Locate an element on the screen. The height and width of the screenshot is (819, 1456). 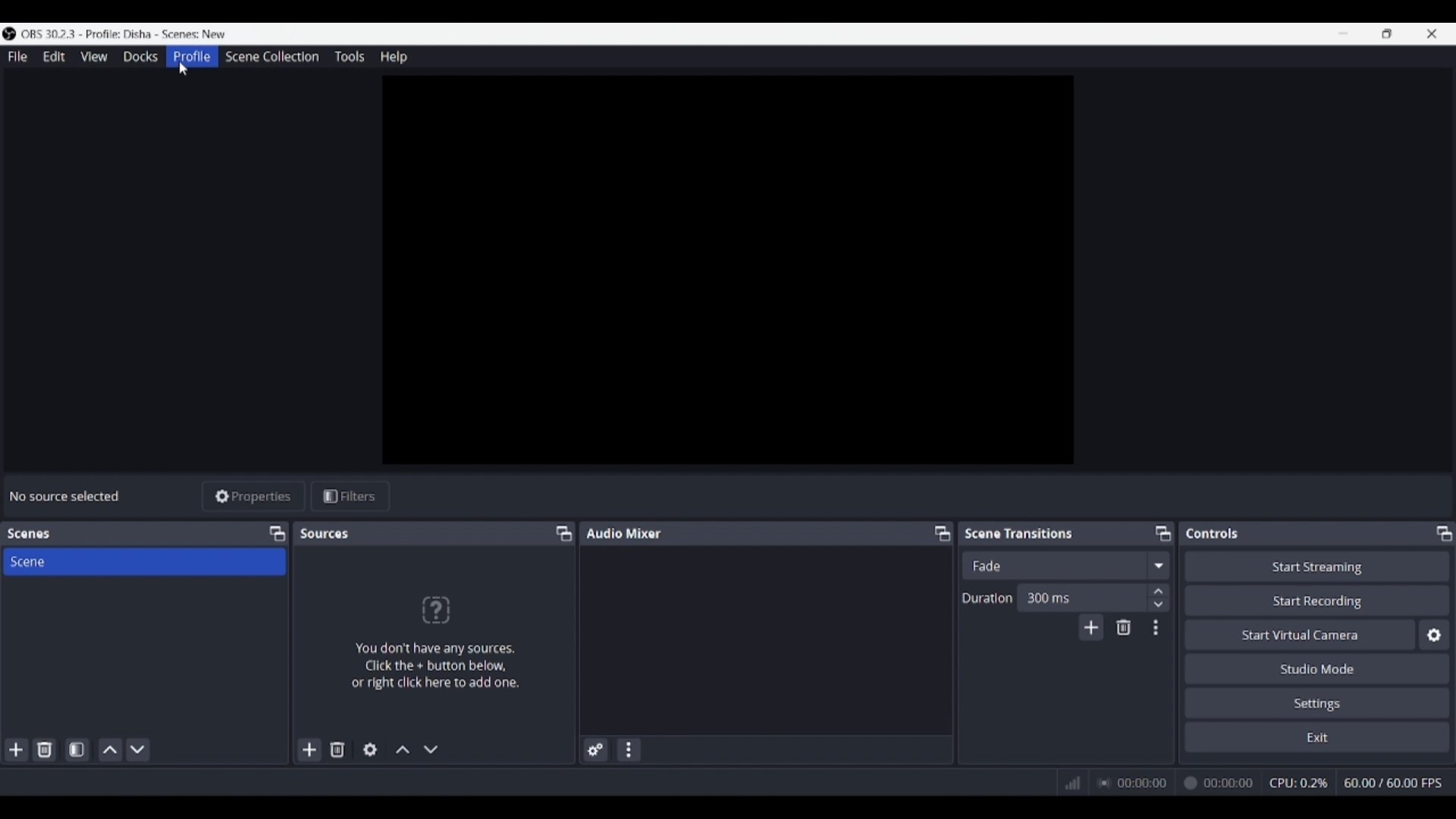
Network is located at coordinates (1068, 783).